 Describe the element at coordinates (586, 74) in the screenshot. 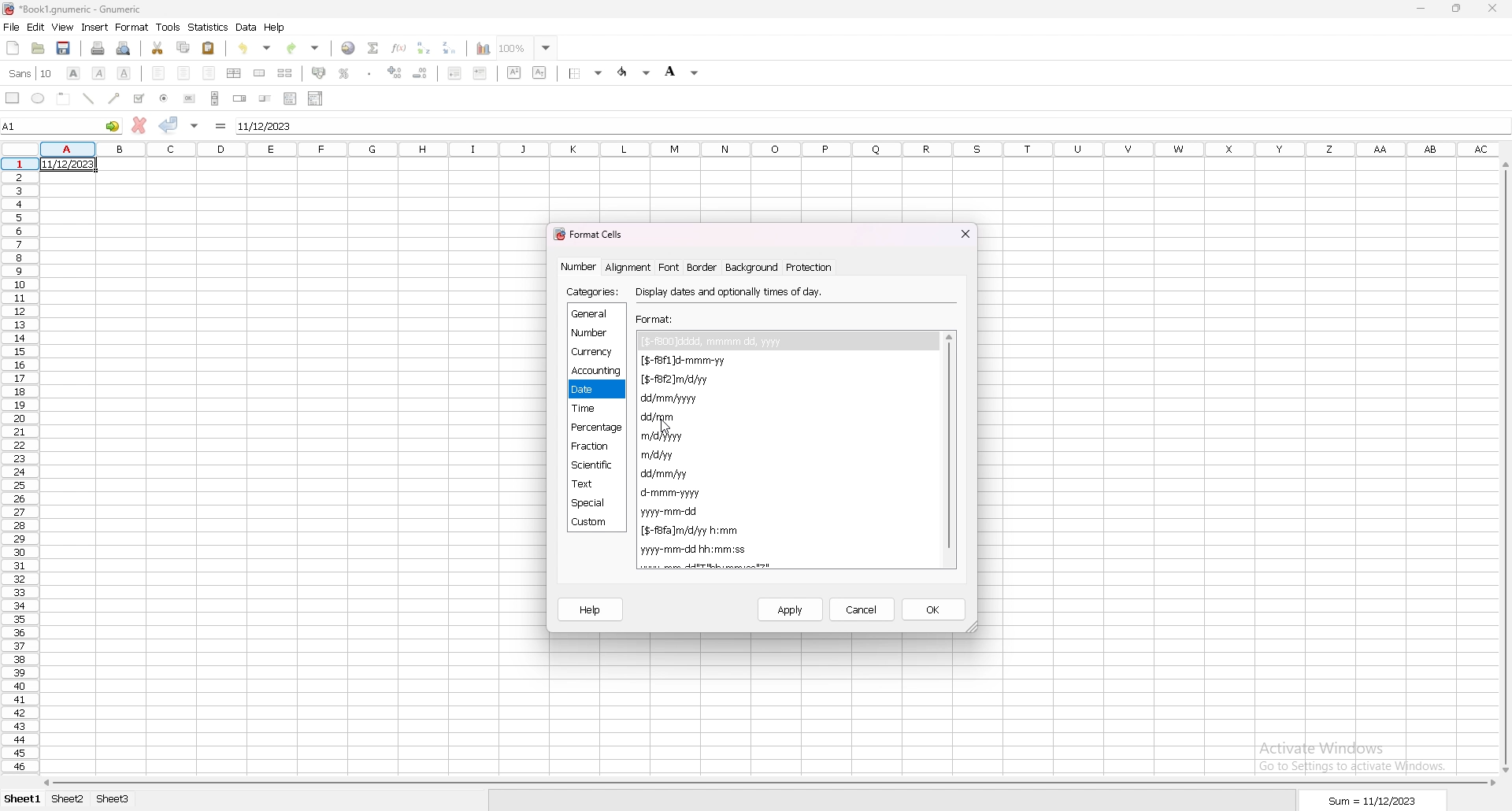

I see `border` at that location.